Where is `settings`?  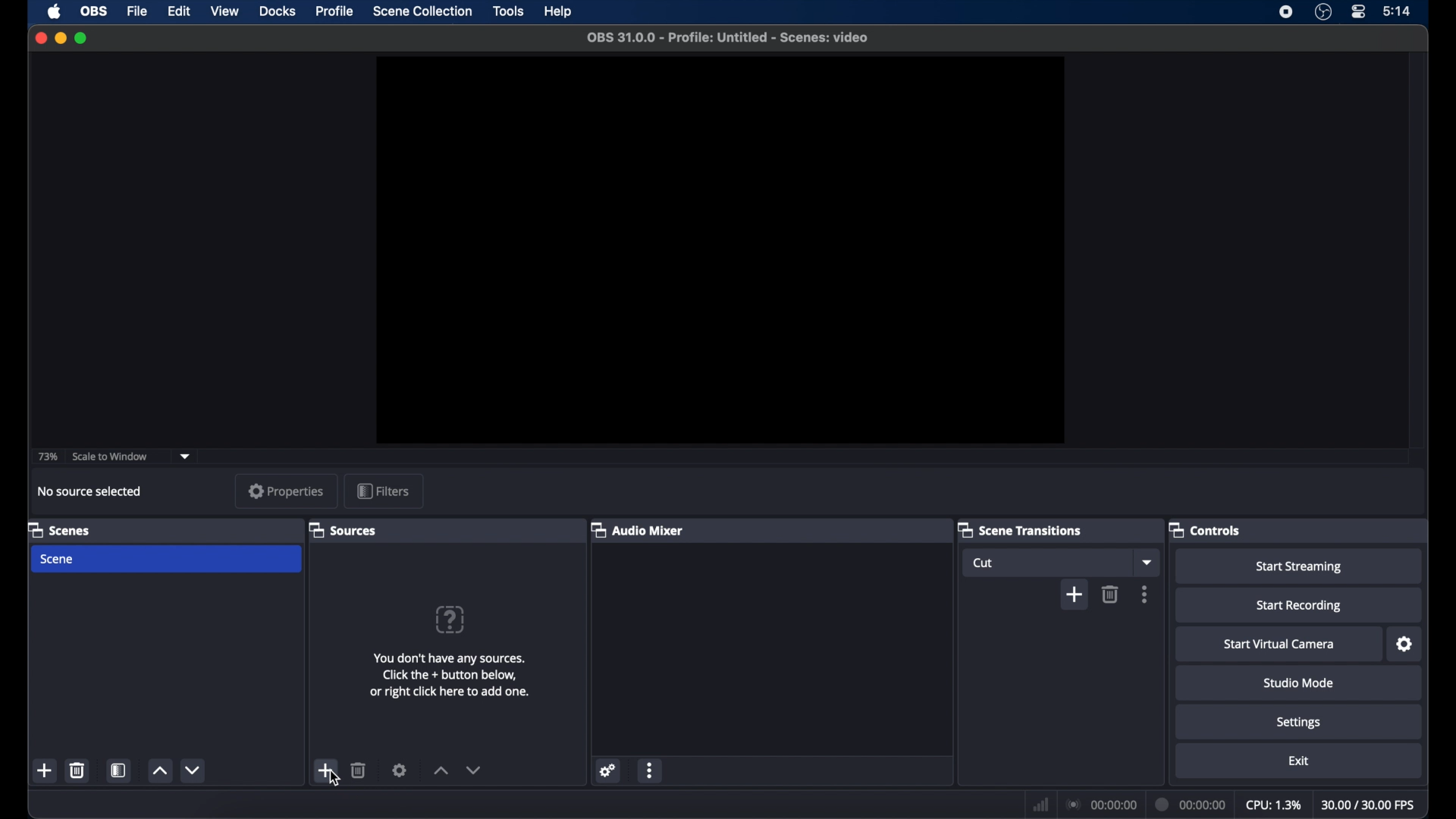 settings is located at coordinates (1298, 722).